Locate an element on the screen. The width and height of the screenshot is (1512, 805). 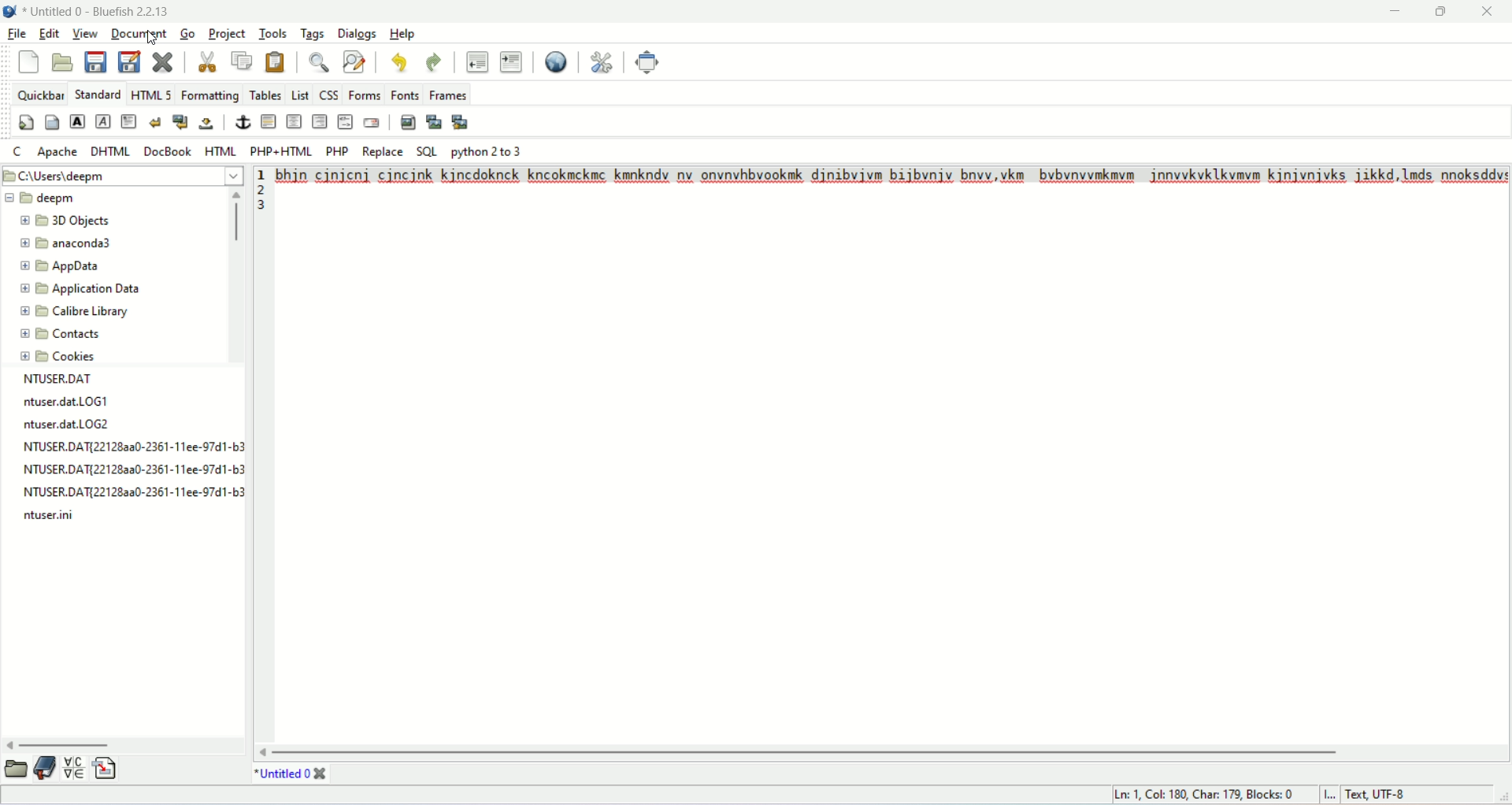
open is located at coordinates (16, 767).